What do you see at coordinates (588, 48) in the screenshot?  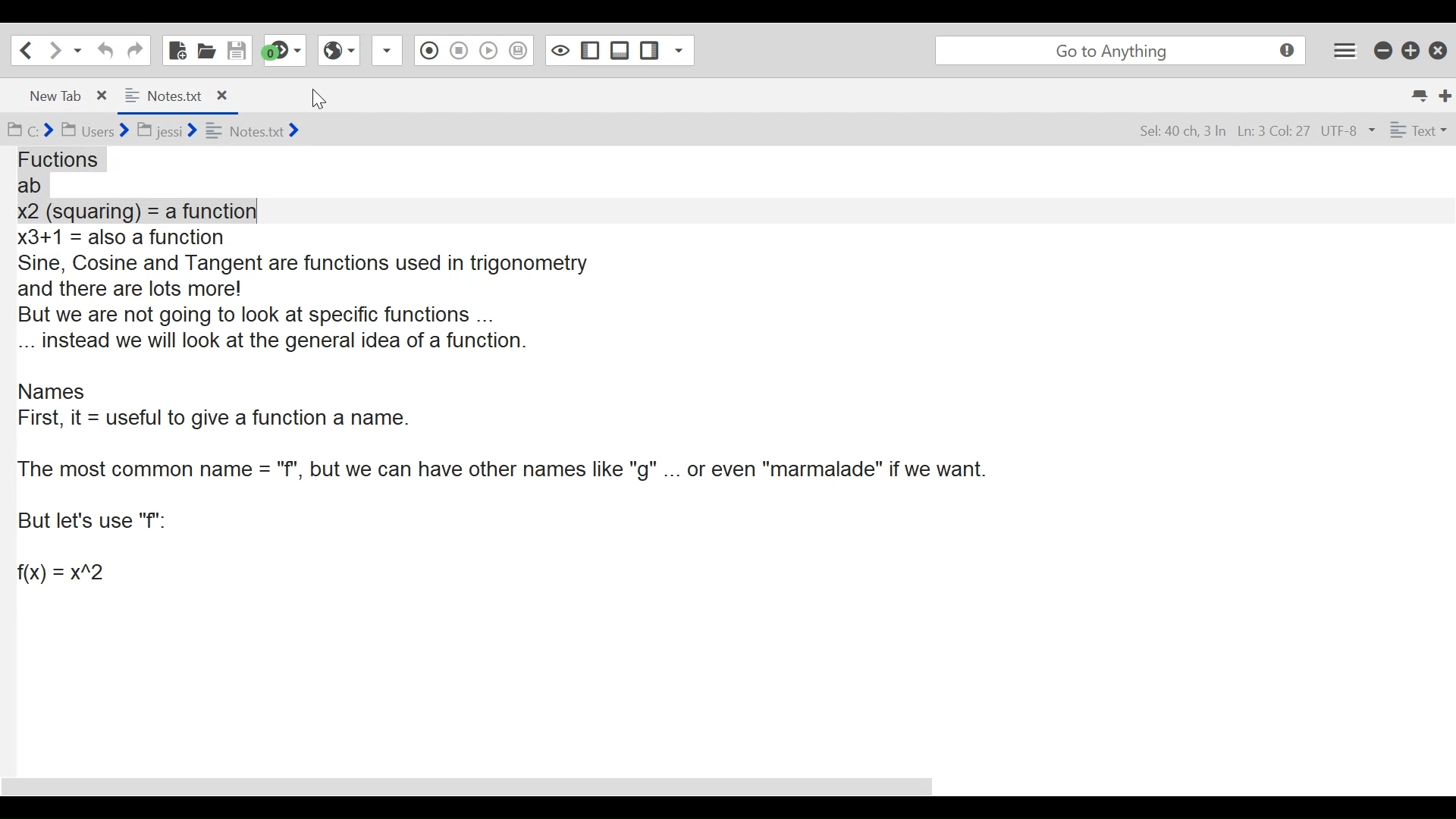 I see `Show specific Side Pan` at bounding box center [588, 48].